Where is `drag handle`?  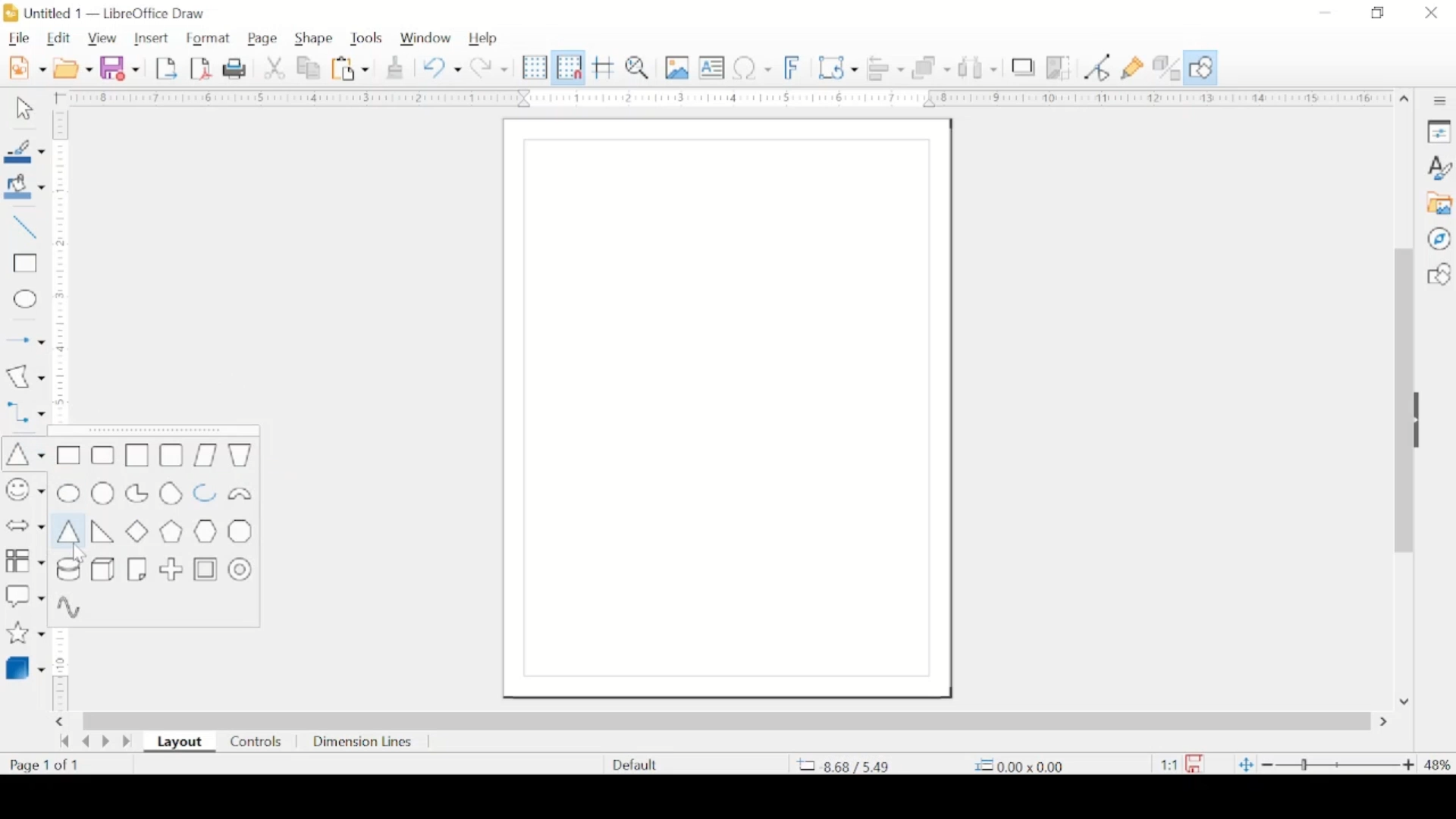
drag handle is located at coordinates (1423, 421).